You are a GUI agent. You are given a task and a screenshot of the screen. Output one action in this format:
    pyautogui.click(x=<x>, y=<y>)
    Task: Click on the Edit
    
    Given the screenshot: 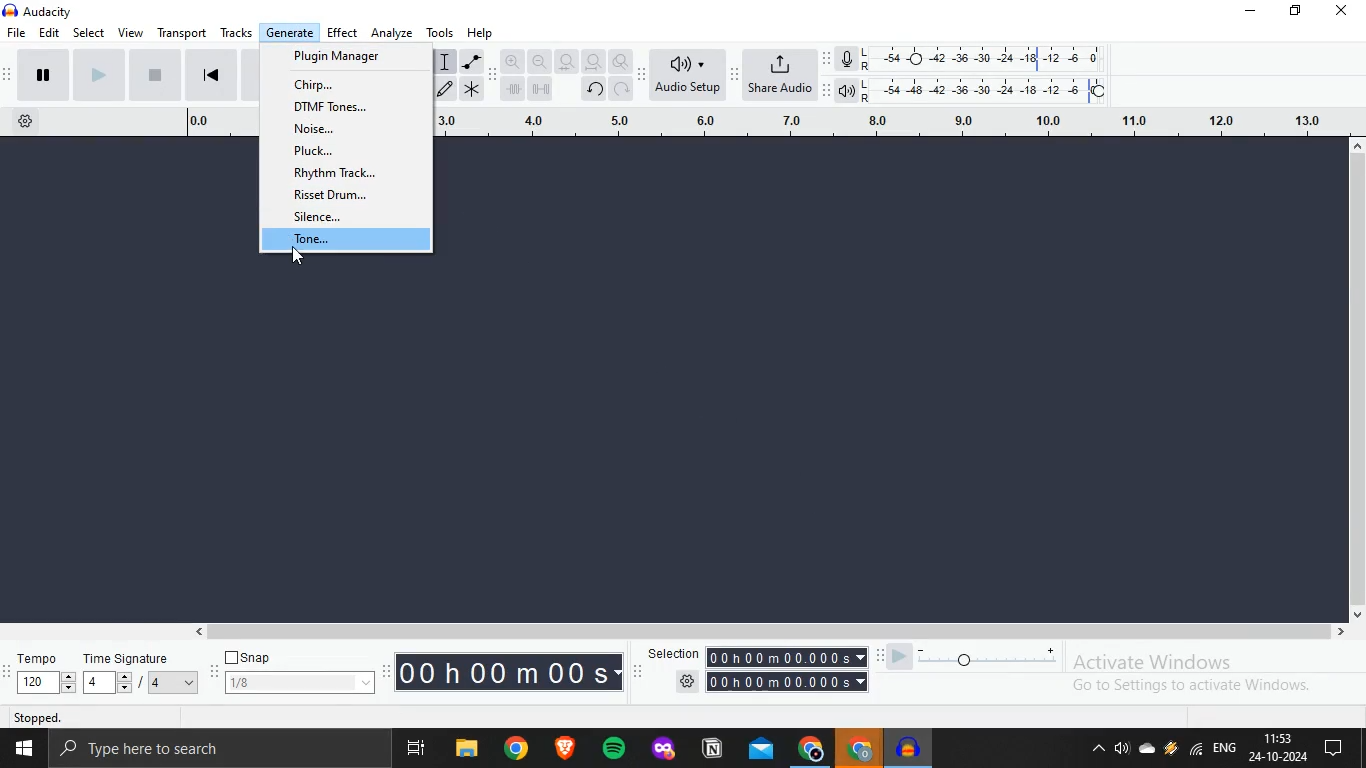 What is the action you would take?
    pyautogui.click(x=444, y=91)
    